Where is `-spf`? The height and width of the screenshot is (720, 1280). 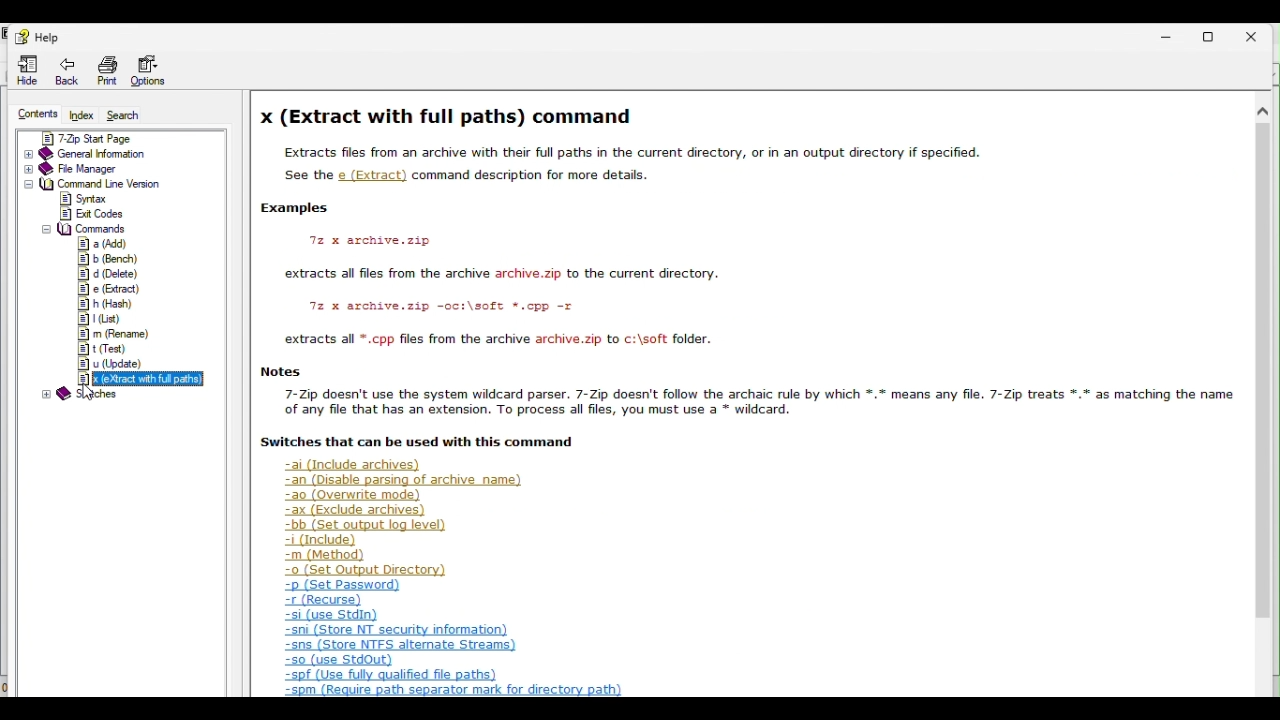
-spf is located at coordinates (390, 674).